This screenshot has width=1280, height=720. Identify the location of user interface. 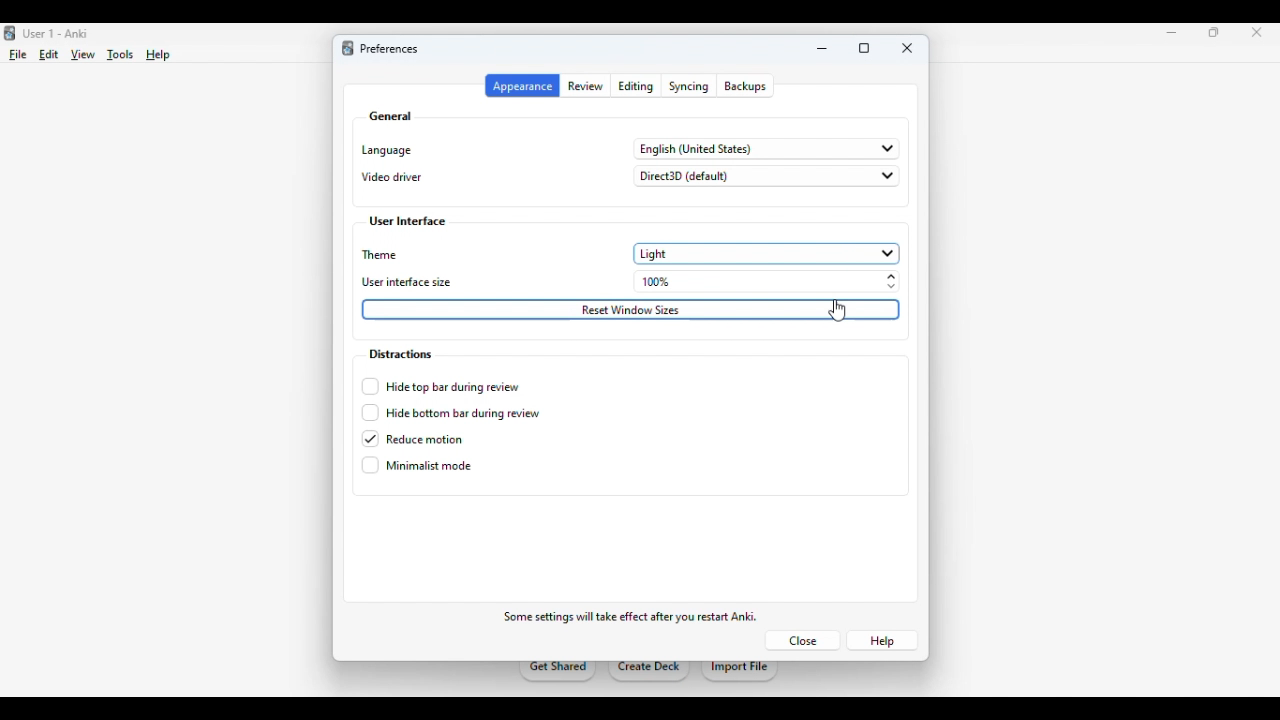
(408, 222).